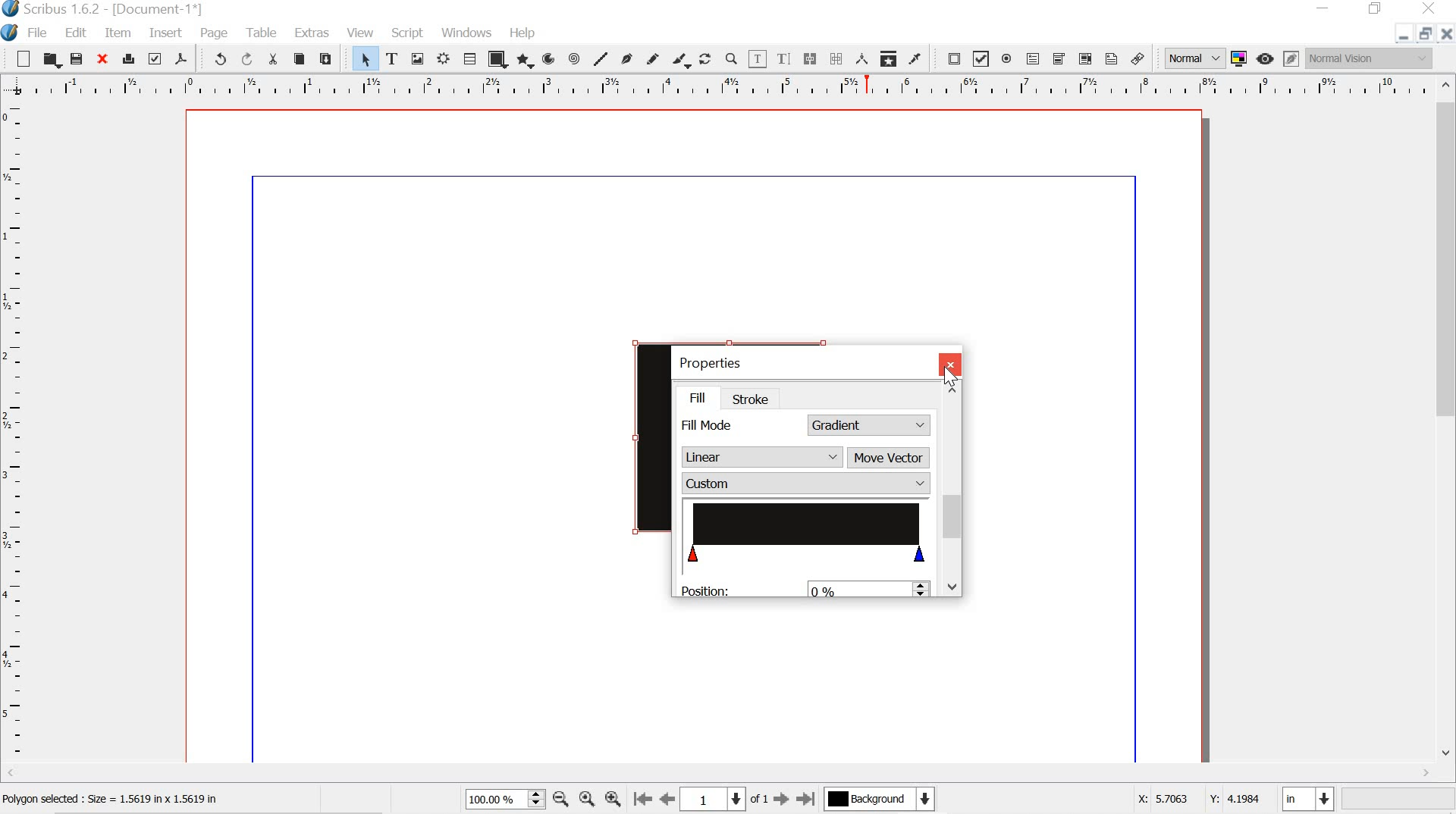 This screenshot has width=1456, height=814. I want to click on in, so click(1309, 799).